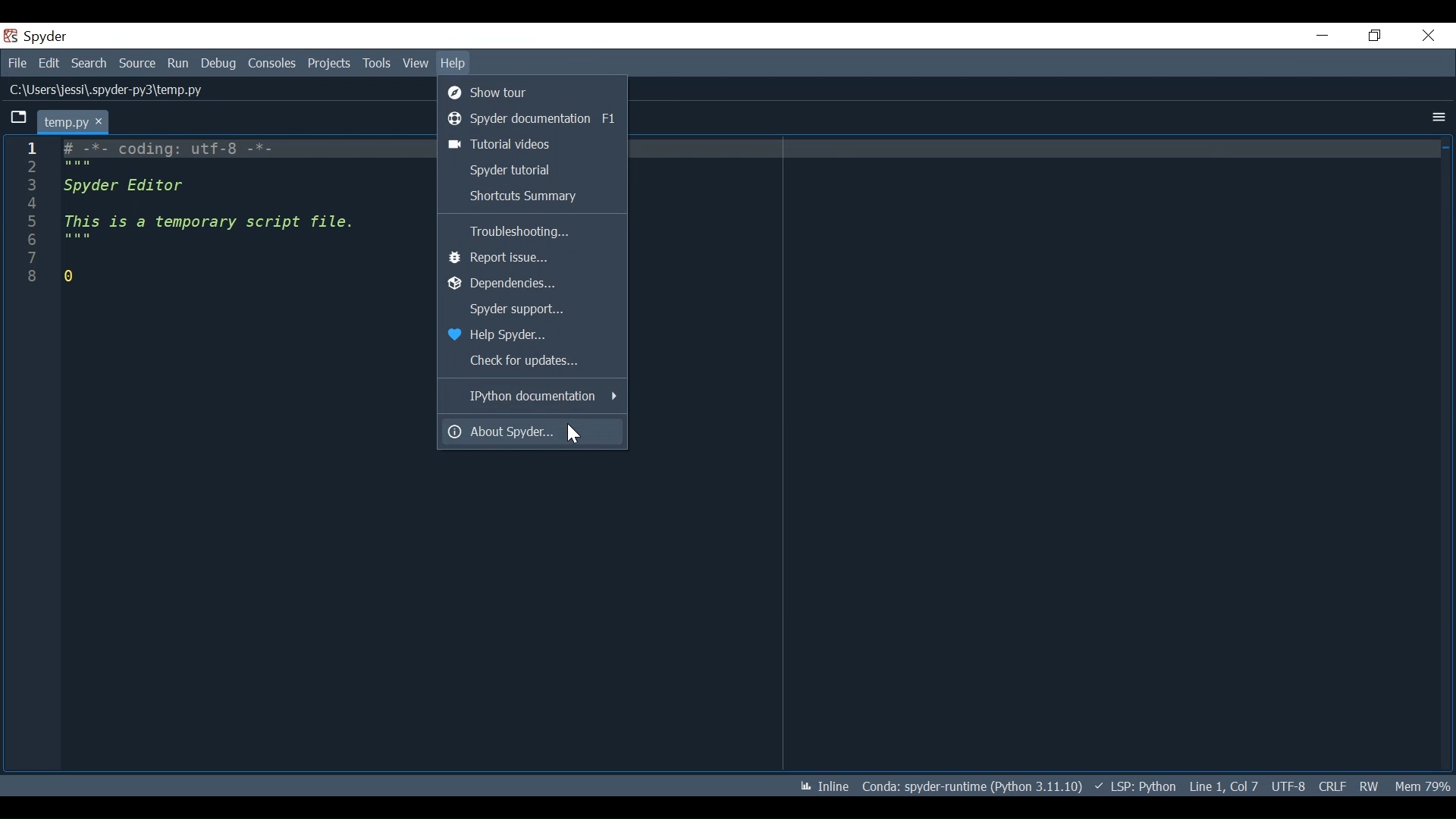 The height and width of the screenshot is (819, 1456). Describe the element at coordinates (416, 63) in the screenshot. I see `View` at that location.